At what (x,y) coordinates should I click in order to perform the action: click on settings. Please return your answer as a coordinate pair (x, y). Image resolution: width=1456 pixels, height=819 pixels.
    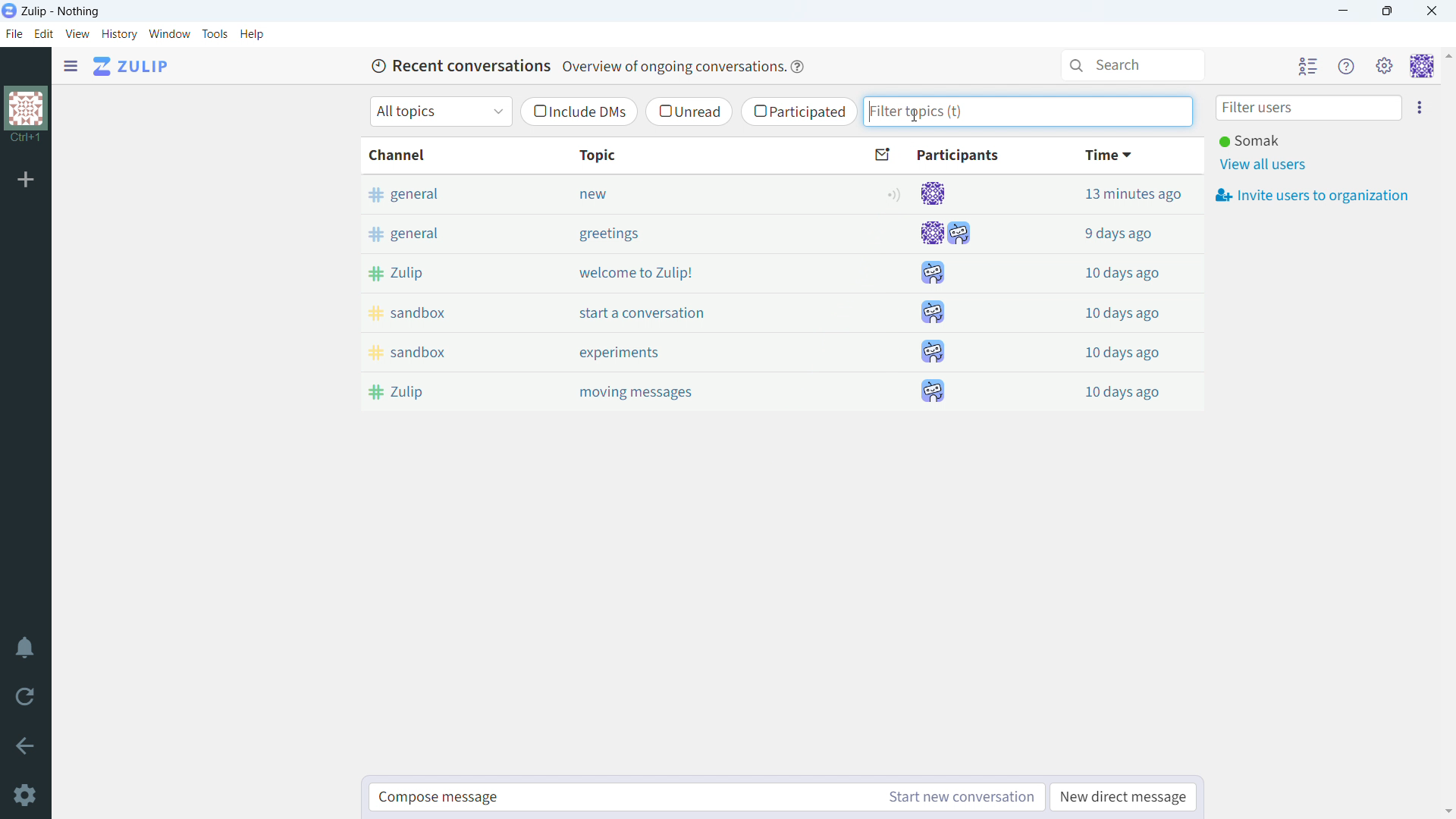
    Looking at the image, I should click on (24, 795).